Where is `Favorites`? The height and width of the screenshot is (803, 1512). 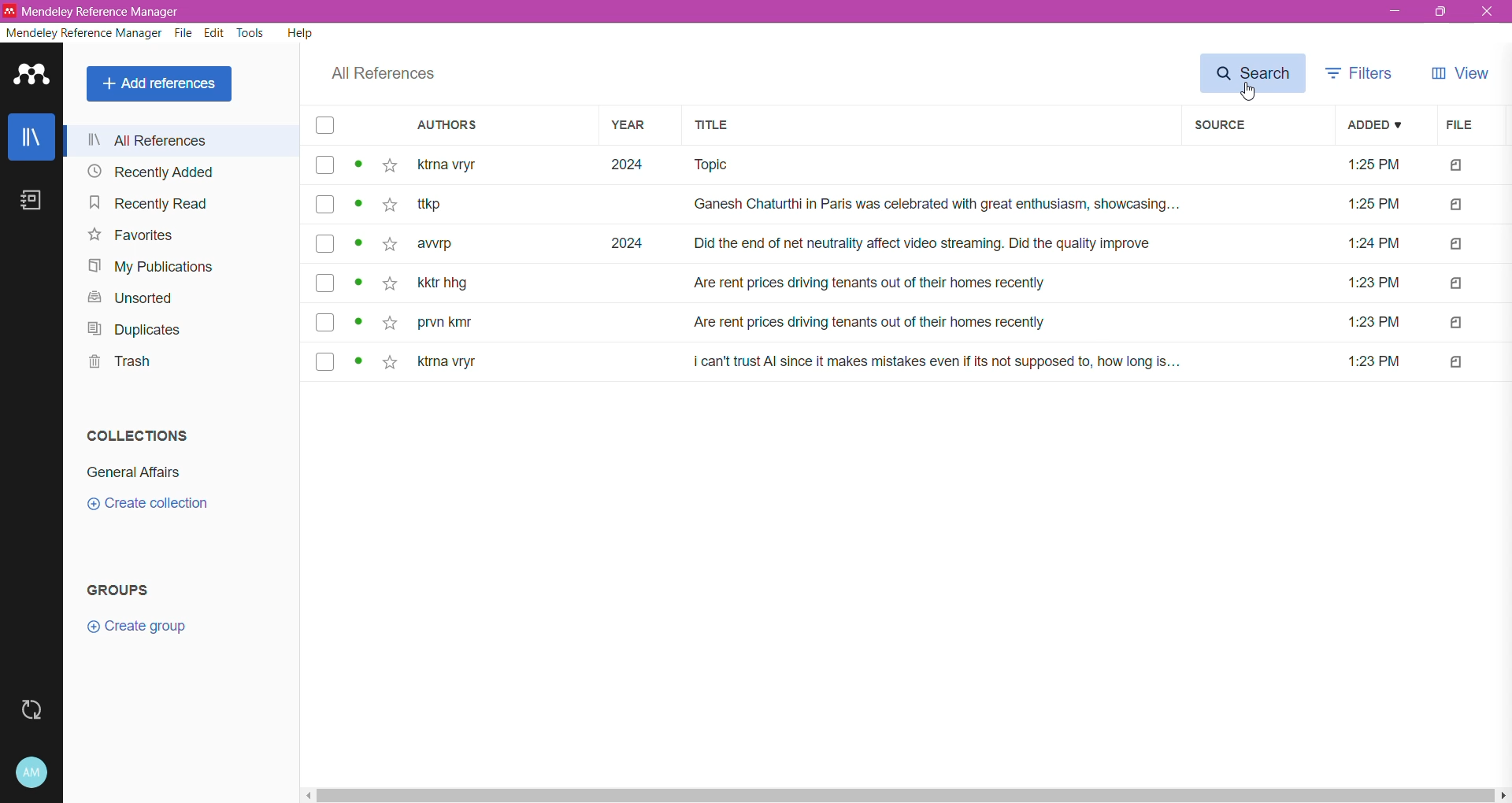
Favorites is located at coordinates (129, 235).